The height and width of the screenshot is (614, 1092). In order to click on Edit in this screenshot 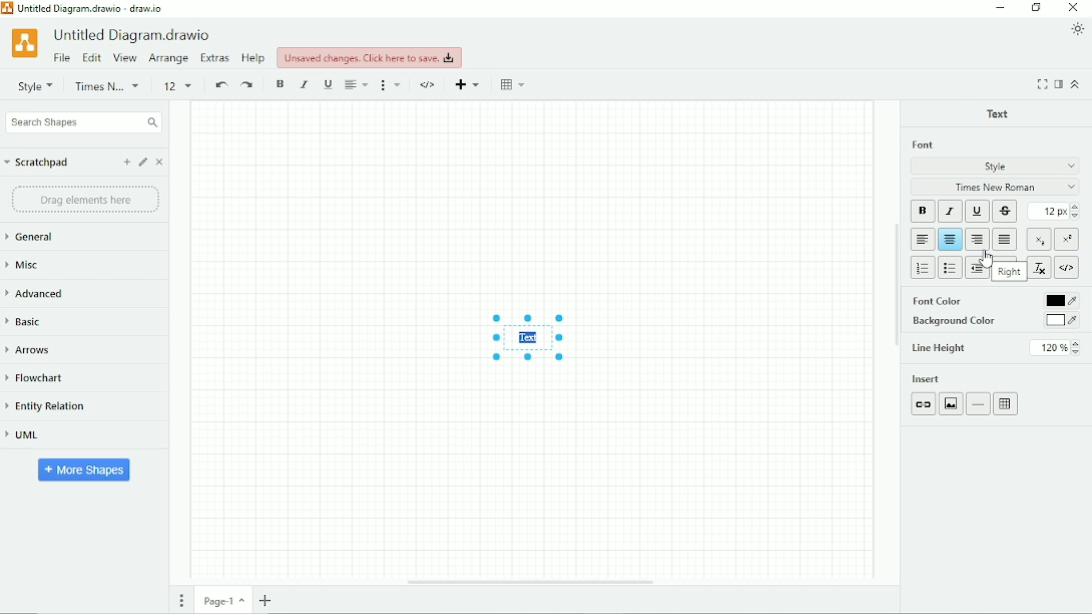, I will do `click(143, 162)`.